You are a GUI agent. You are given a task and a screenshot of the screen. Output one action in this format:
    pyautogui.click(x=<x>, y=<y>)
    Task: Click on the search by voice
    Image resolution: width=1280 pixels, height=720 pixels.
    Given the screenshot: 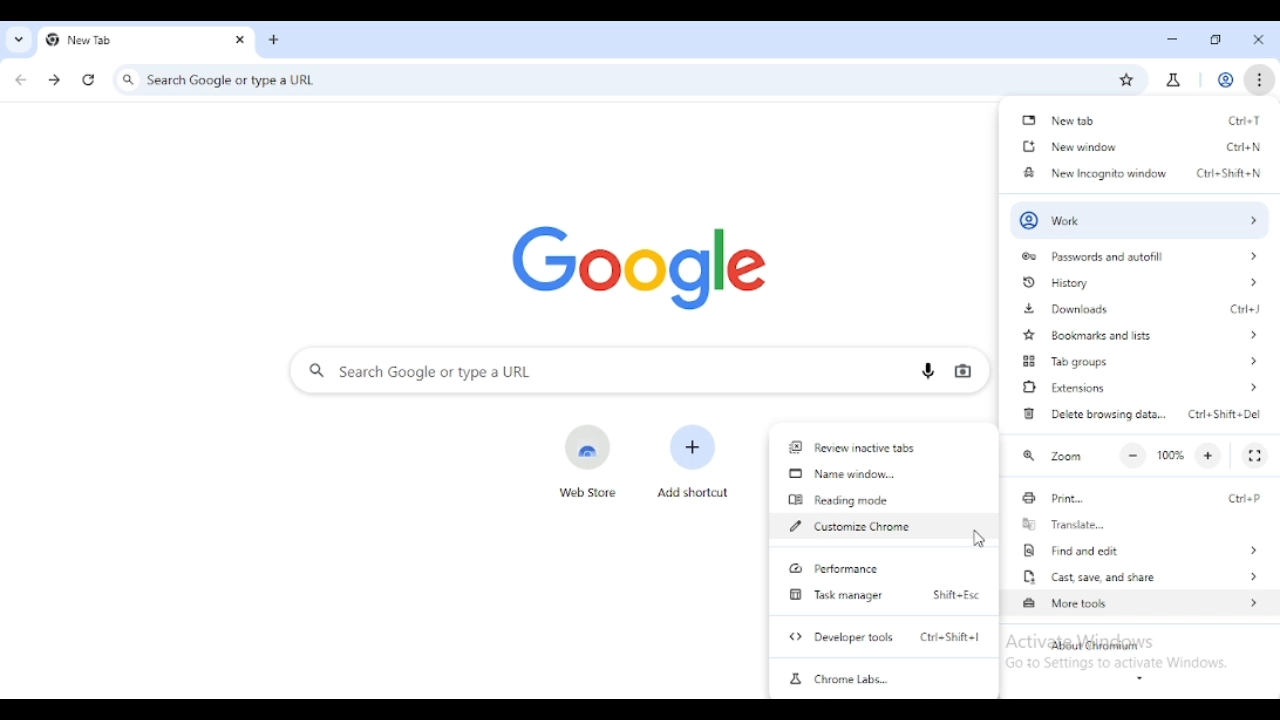 What is the action you would take?
    pyautogui.click(x=928, y=370)
    